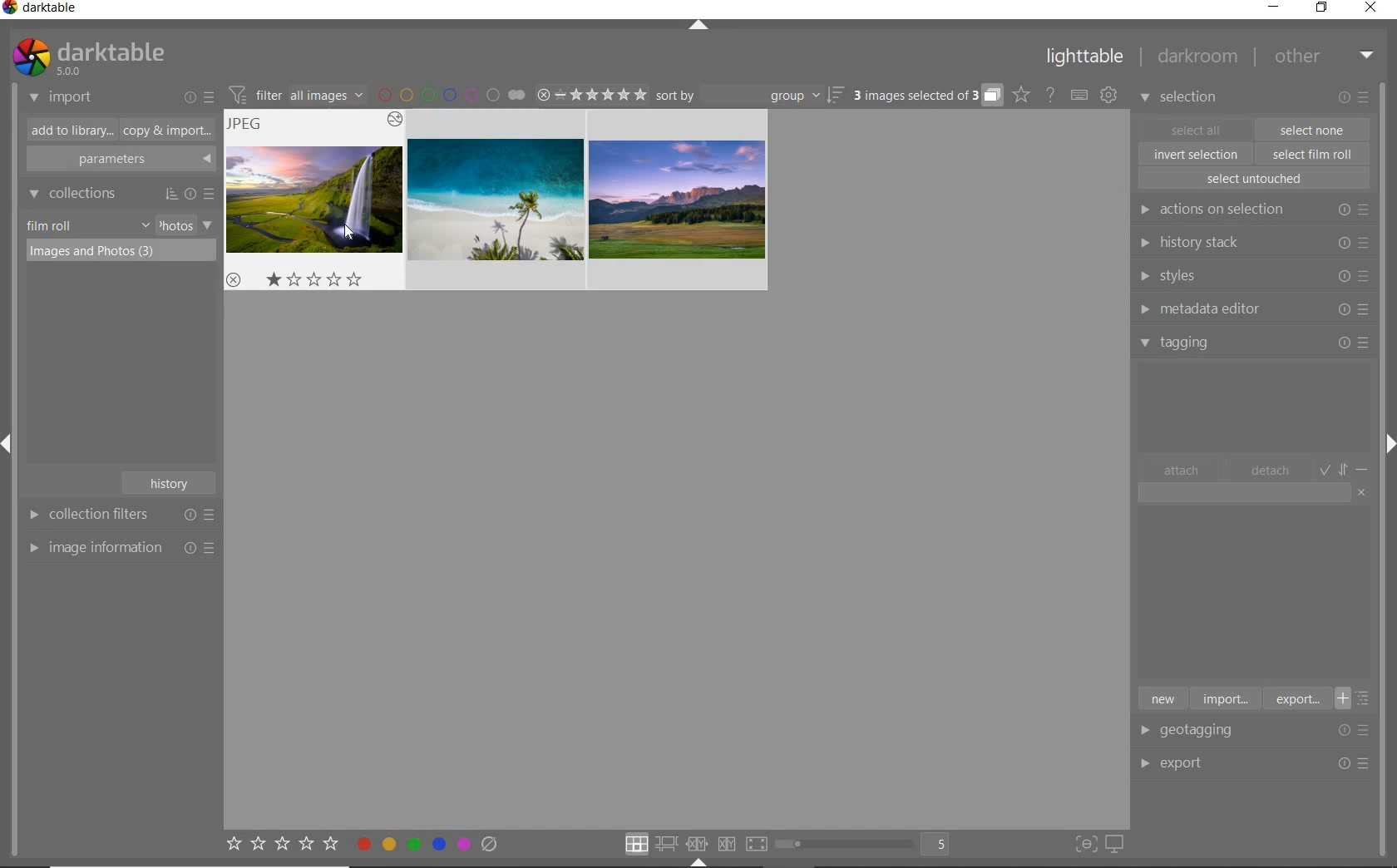 The width and height of the screenshot is (1397, 868). I want to click on Expand/Collapse, so click(696, 862).